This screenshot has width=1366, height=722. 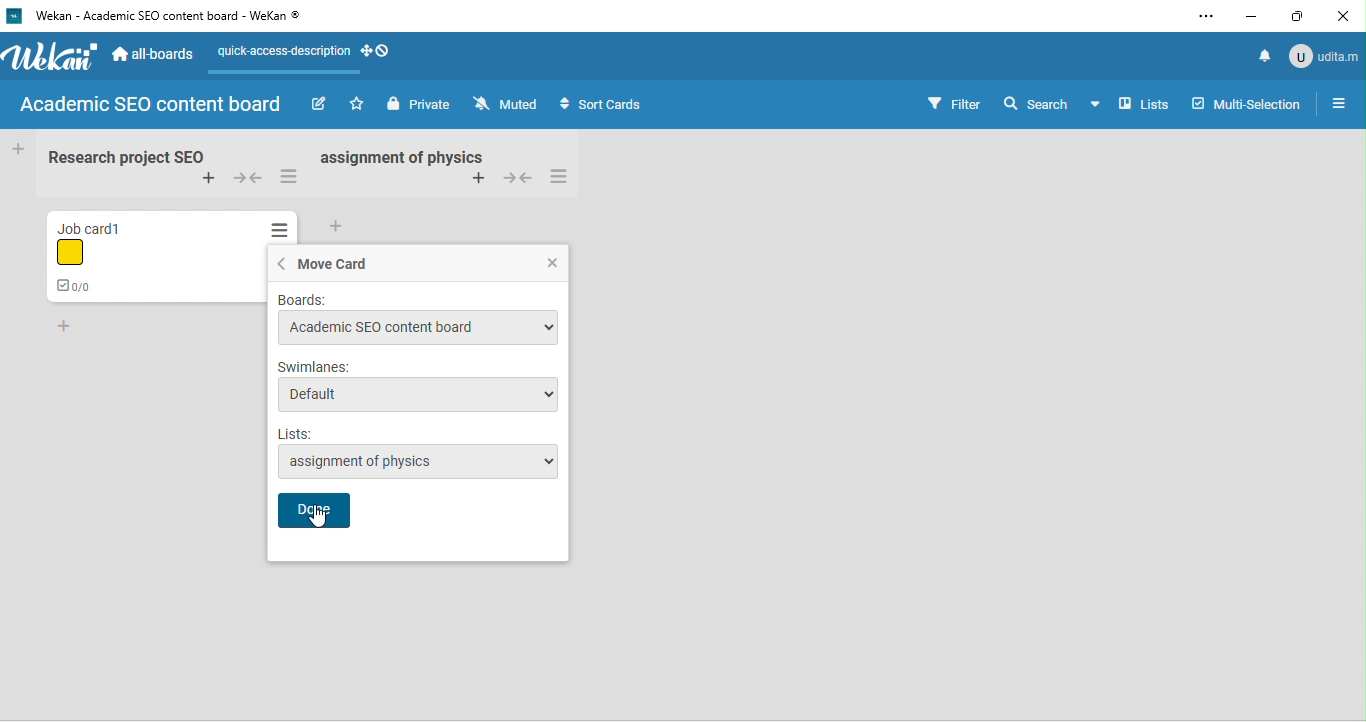 I want to click on Add Card, so click(x=17, y=148).